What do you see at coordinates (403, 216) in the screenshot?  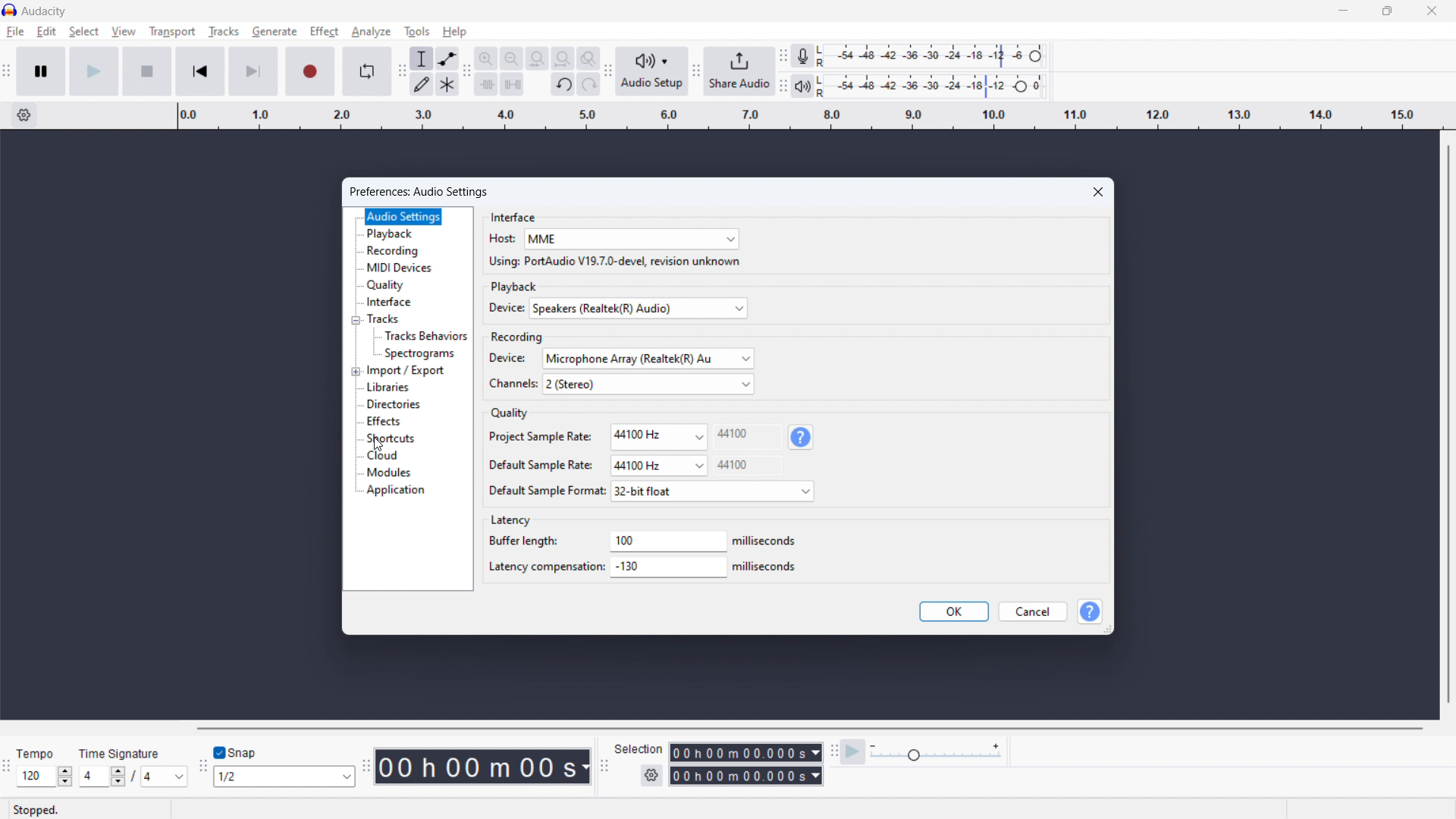 I see `audio settings` at bounding box center [403, 216].